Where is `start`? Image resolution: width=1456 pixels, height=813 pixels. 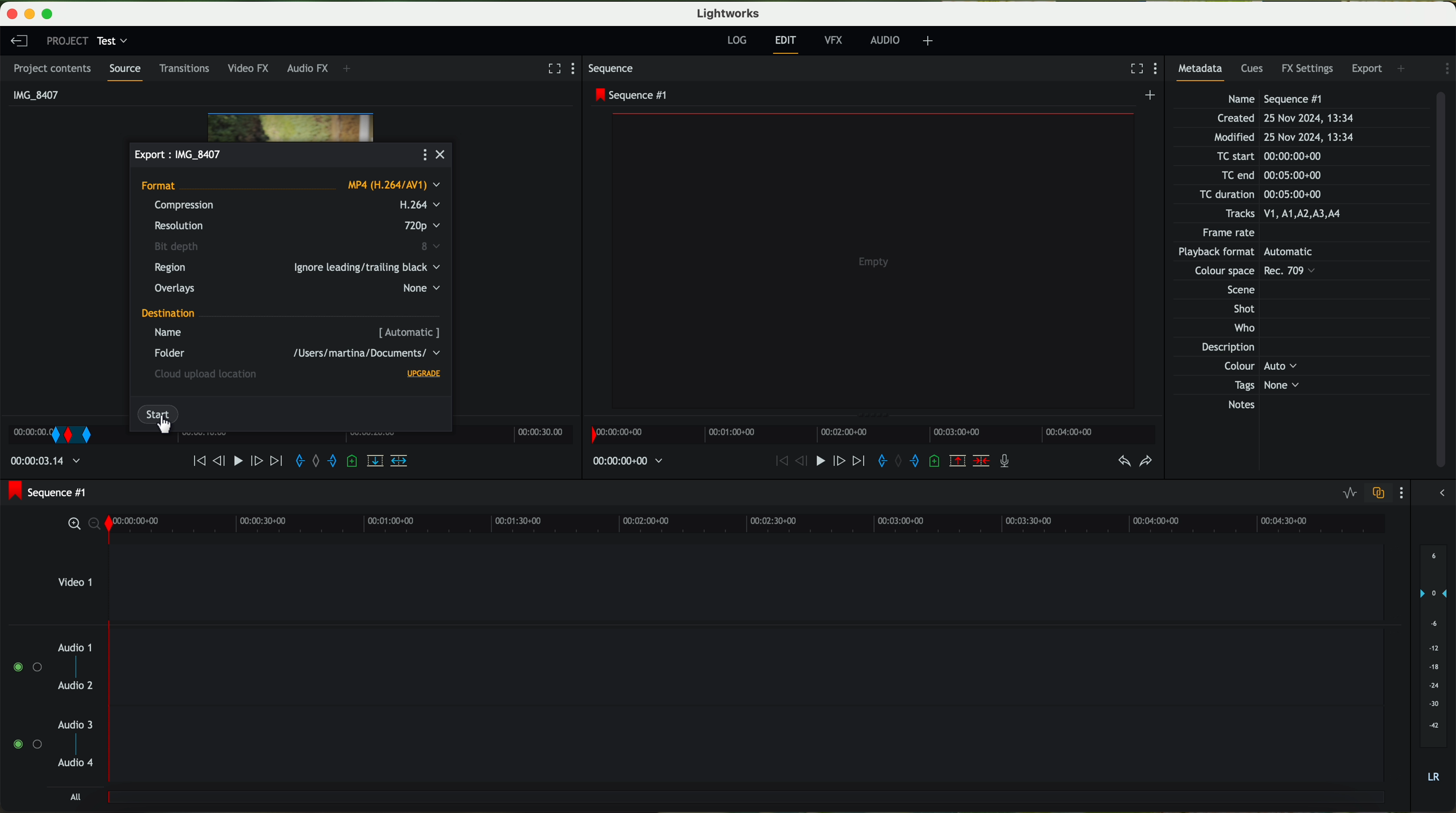
start is located at coordinates (158, 410).